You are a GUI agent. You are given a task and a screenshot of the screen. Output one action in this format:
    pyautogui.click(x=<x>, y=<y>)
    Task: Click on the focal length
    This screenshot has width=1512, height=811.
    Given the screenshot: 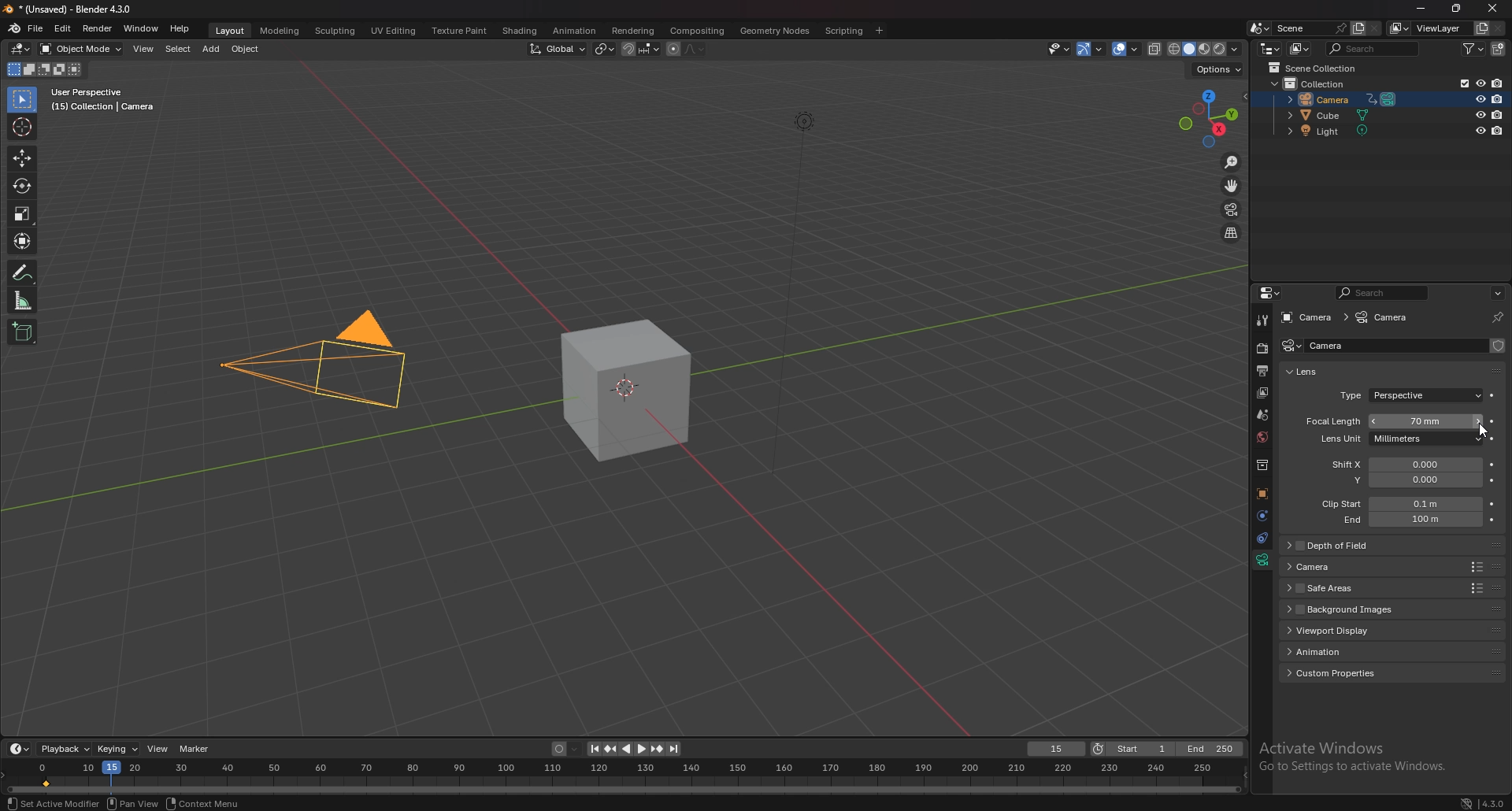 What is the action you would take?
    pyautogui.click(x=1389, y=421)
    